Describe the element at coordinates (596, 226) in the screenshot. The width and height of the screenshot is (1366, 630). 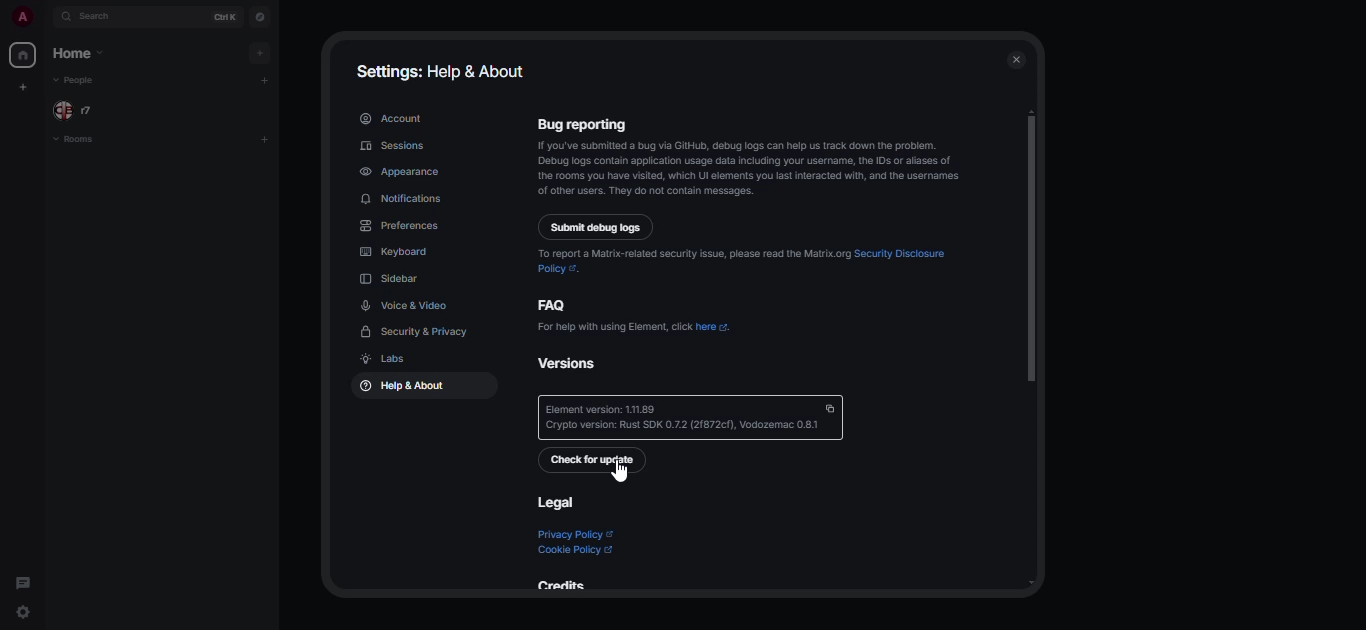
I see `submit debug logs` at that location.